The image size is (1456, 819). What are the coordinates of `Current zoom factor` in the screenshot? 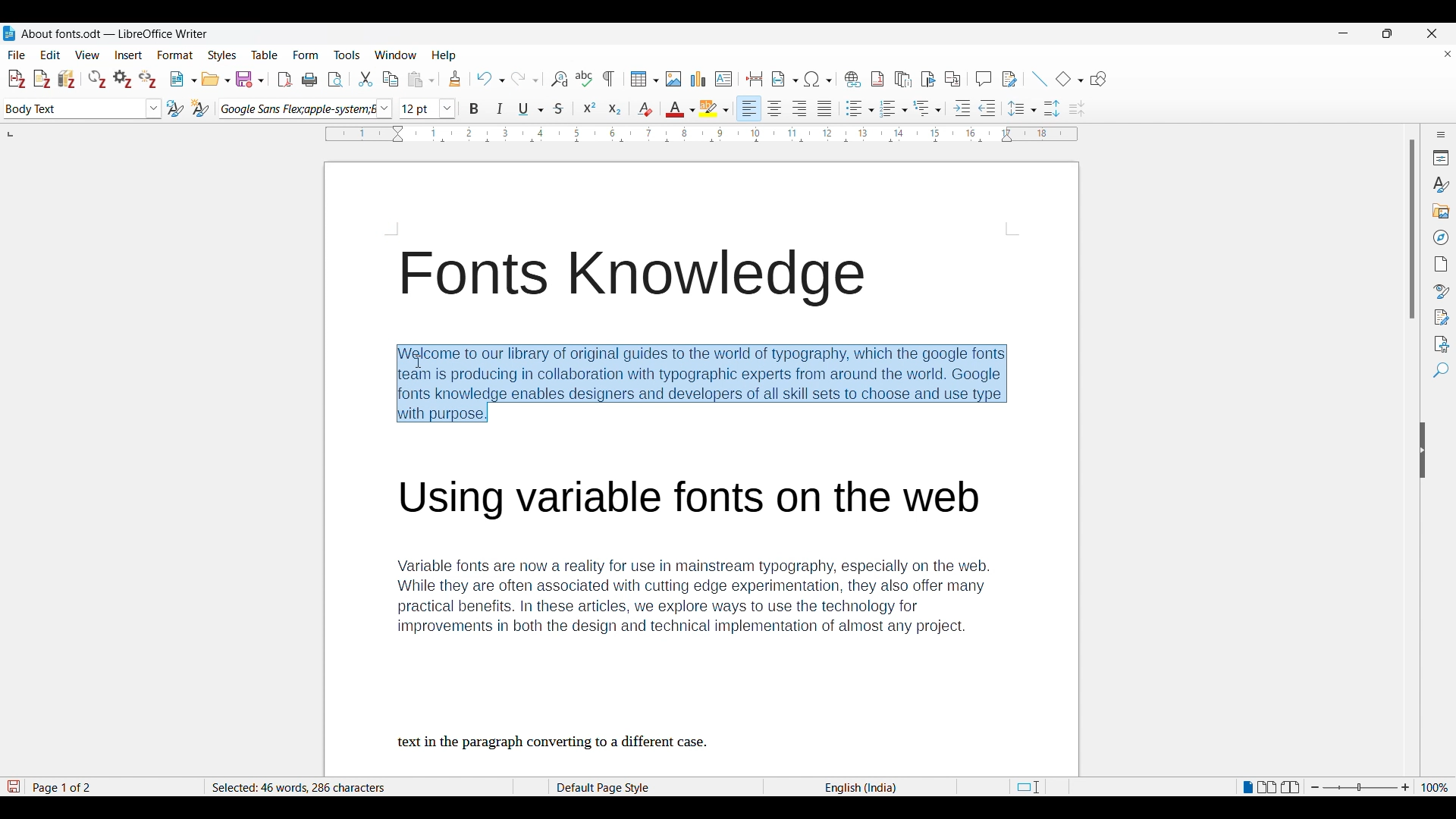 It's located at (1435, 787).